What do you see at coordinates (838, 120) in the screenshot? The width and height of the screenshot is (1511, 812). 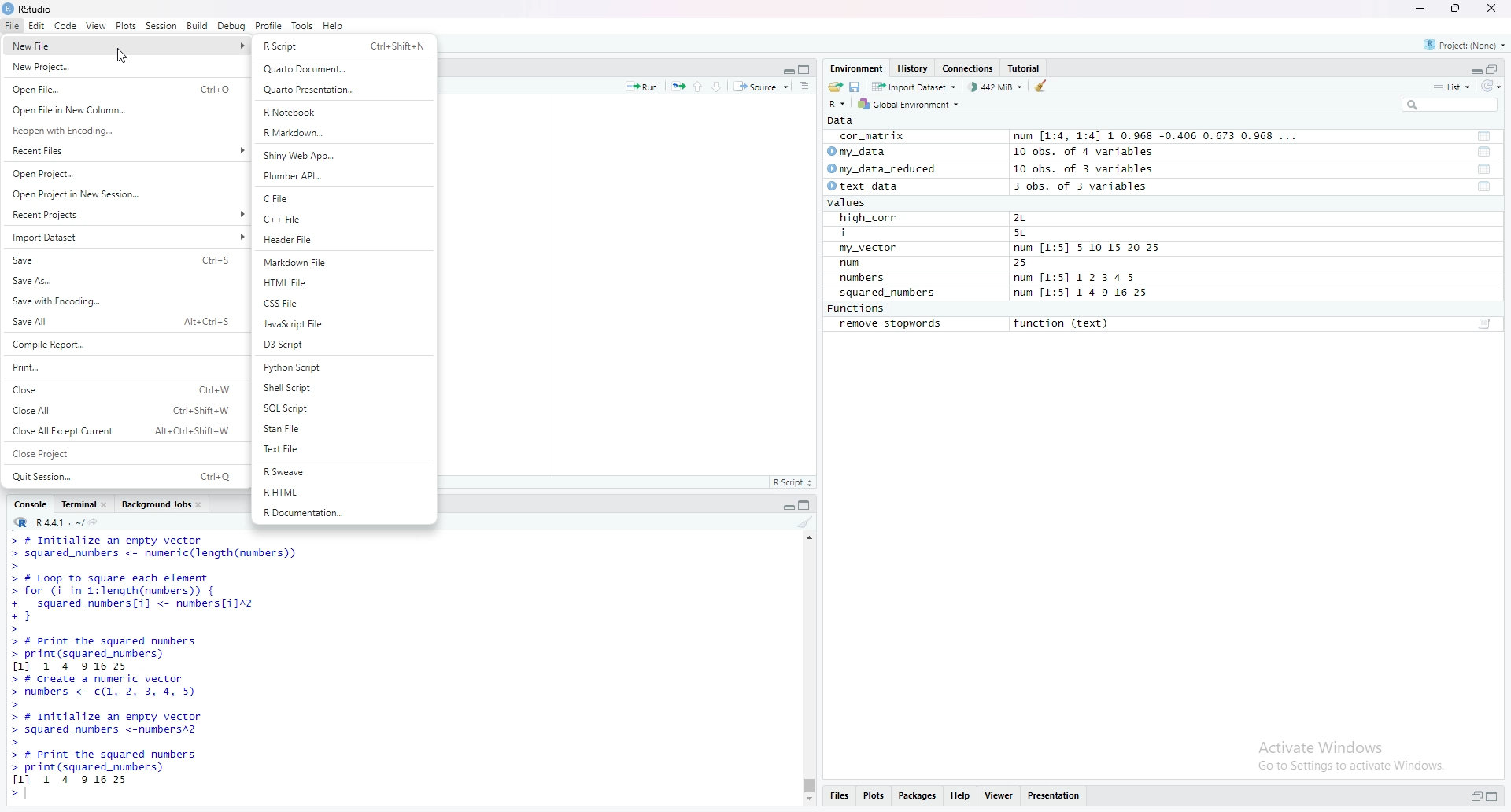 I see `Data` at bounding box center [838, 120].